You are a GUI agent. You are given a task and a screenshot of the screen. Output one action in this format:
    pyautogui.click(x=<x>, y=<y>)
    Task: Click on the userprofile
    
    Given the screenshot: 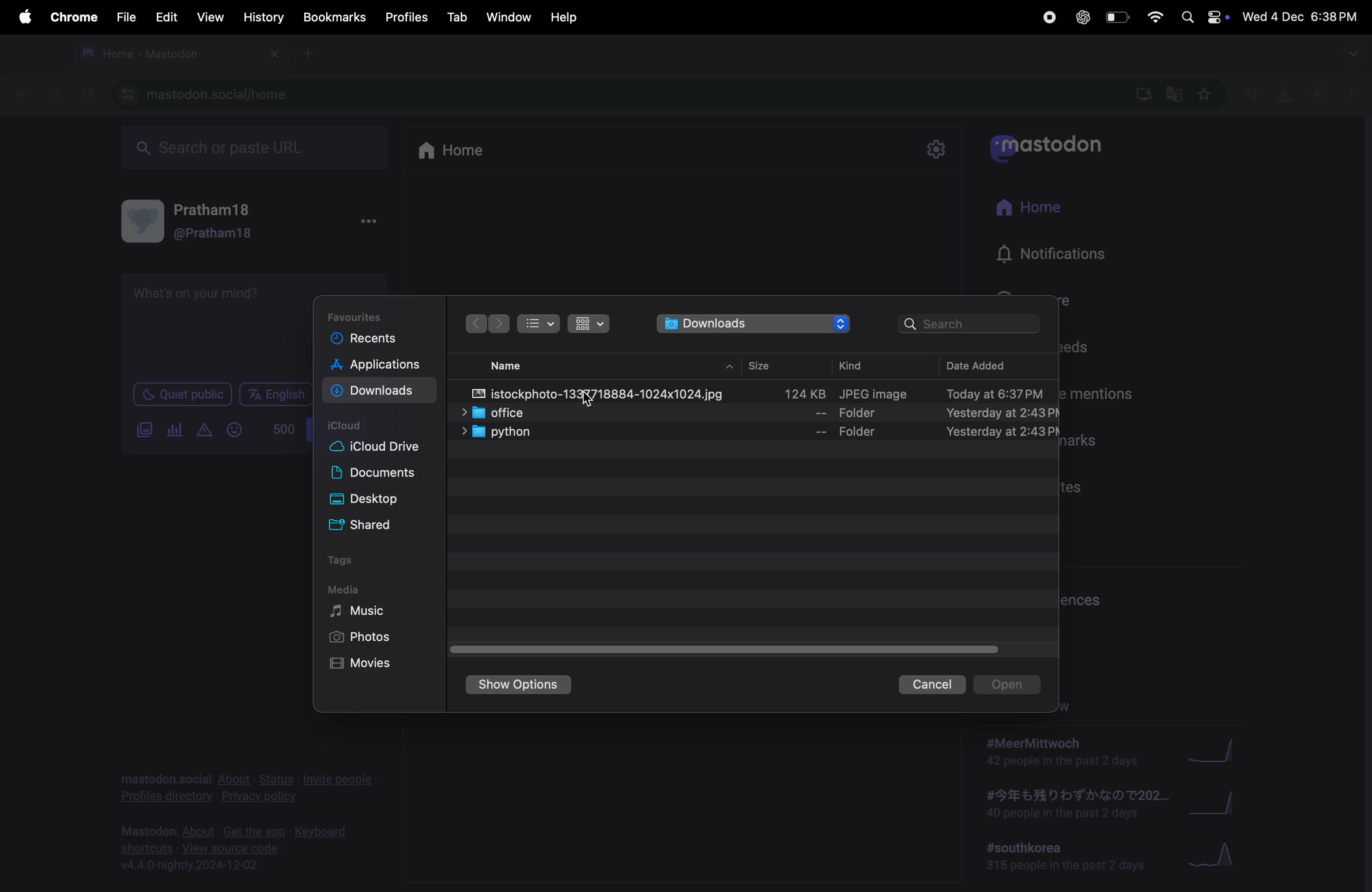 What is the action you would take?
    pyautogui.click(x=1337, y=95)
    